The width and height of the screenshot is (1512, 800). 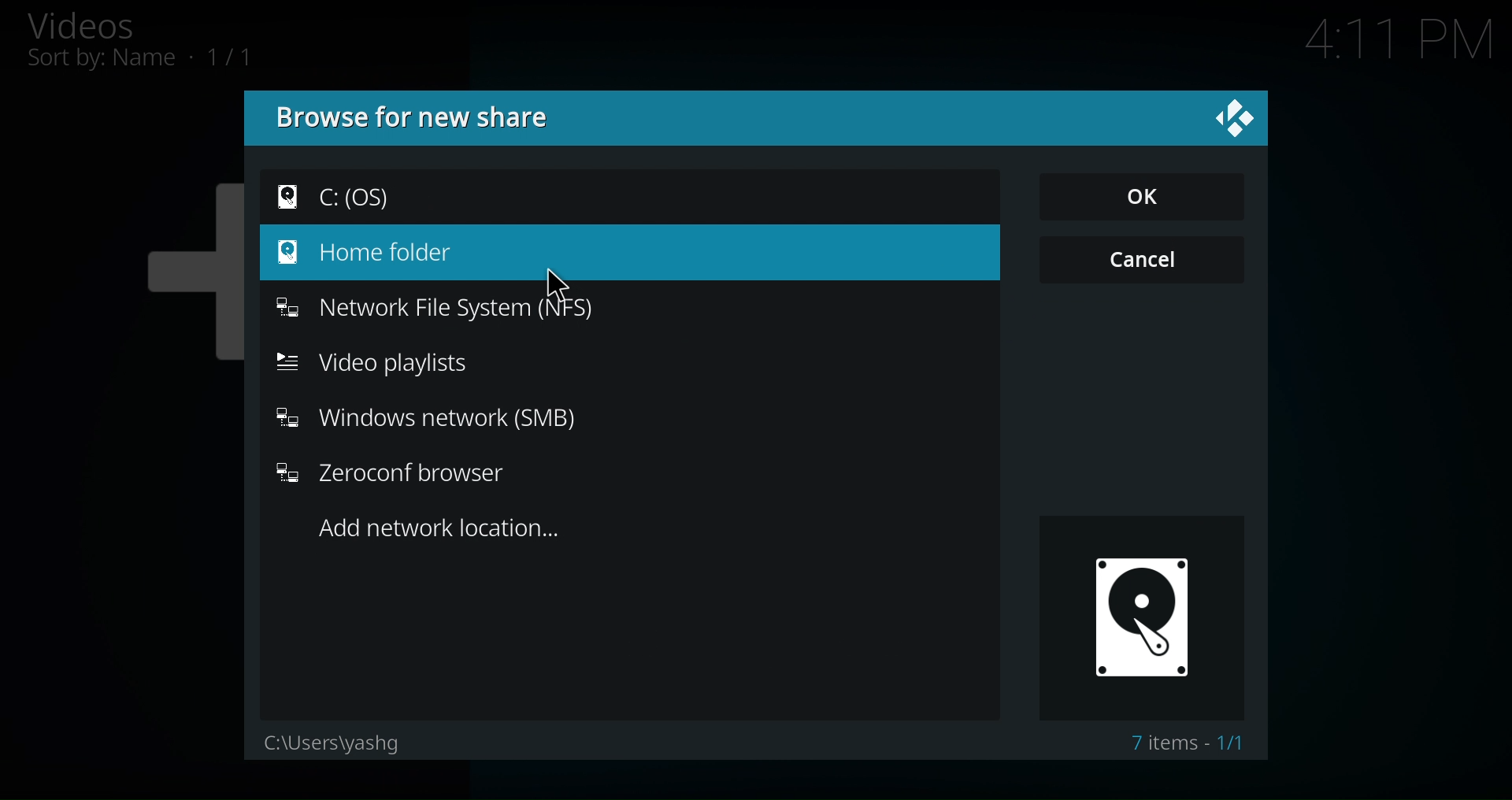 I want to click on Home Folder, so click(x=358, y=251).